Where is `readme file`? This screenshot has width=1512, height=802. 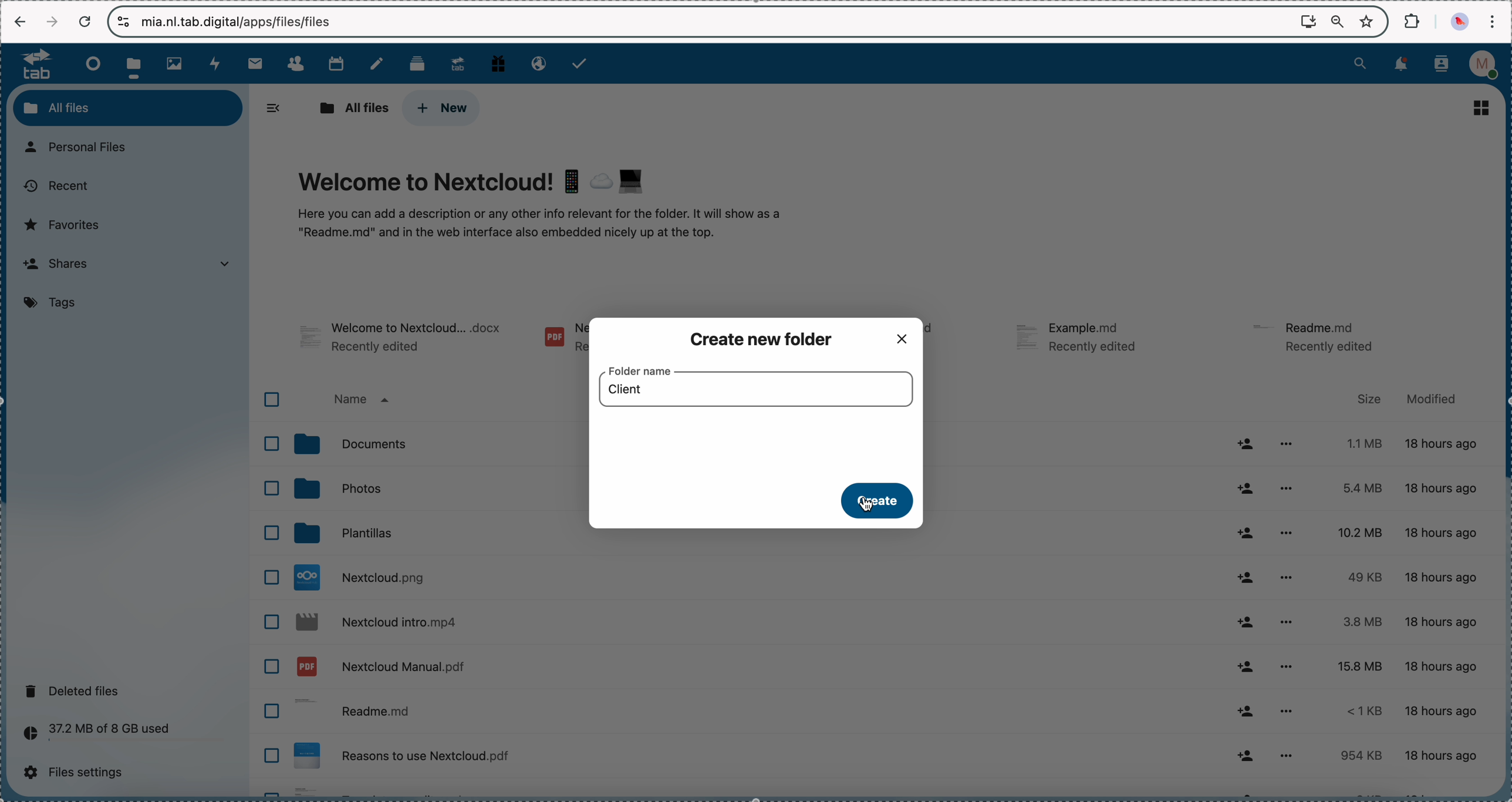 readme file is located at coordinates (752, 713).